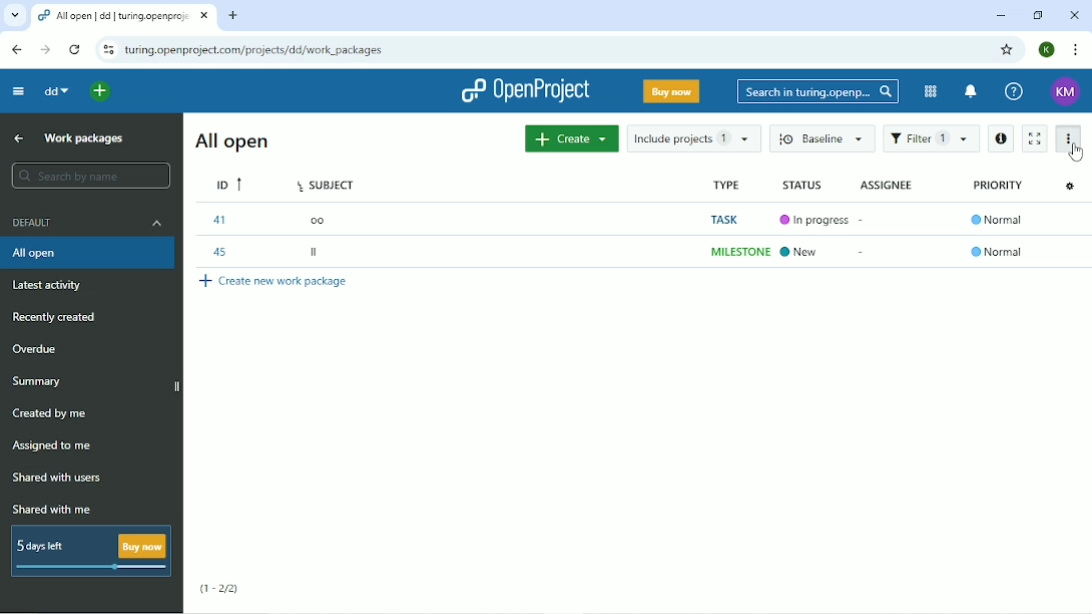 The height and width of the screenshot is (614, 1092). I want to click on Latest activity, so click(51, 286).